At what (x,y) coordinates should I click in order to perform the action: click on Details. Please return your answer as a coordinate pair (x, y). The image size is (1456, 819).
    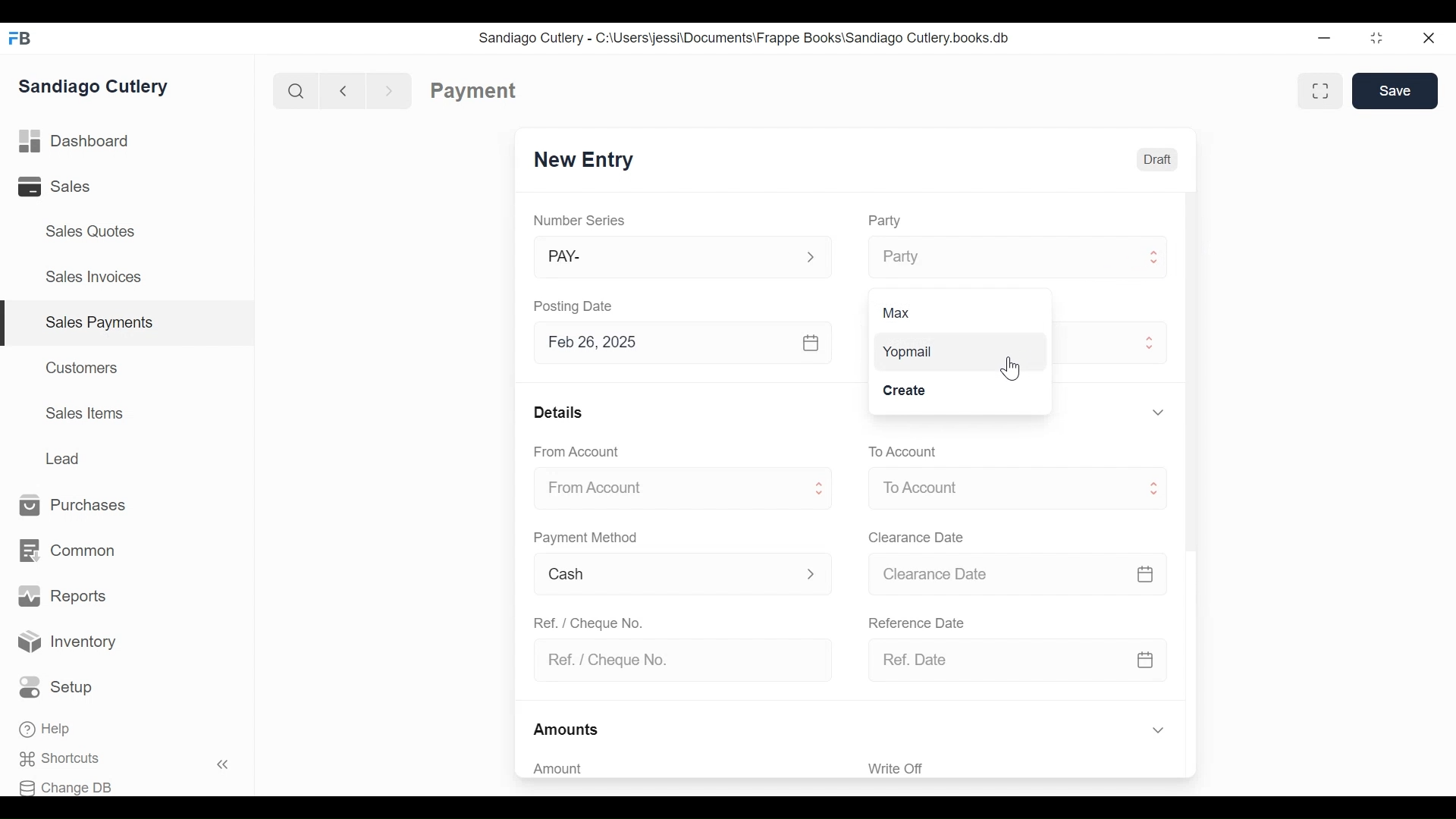
    Looking at the image, I should click on (558, 411).